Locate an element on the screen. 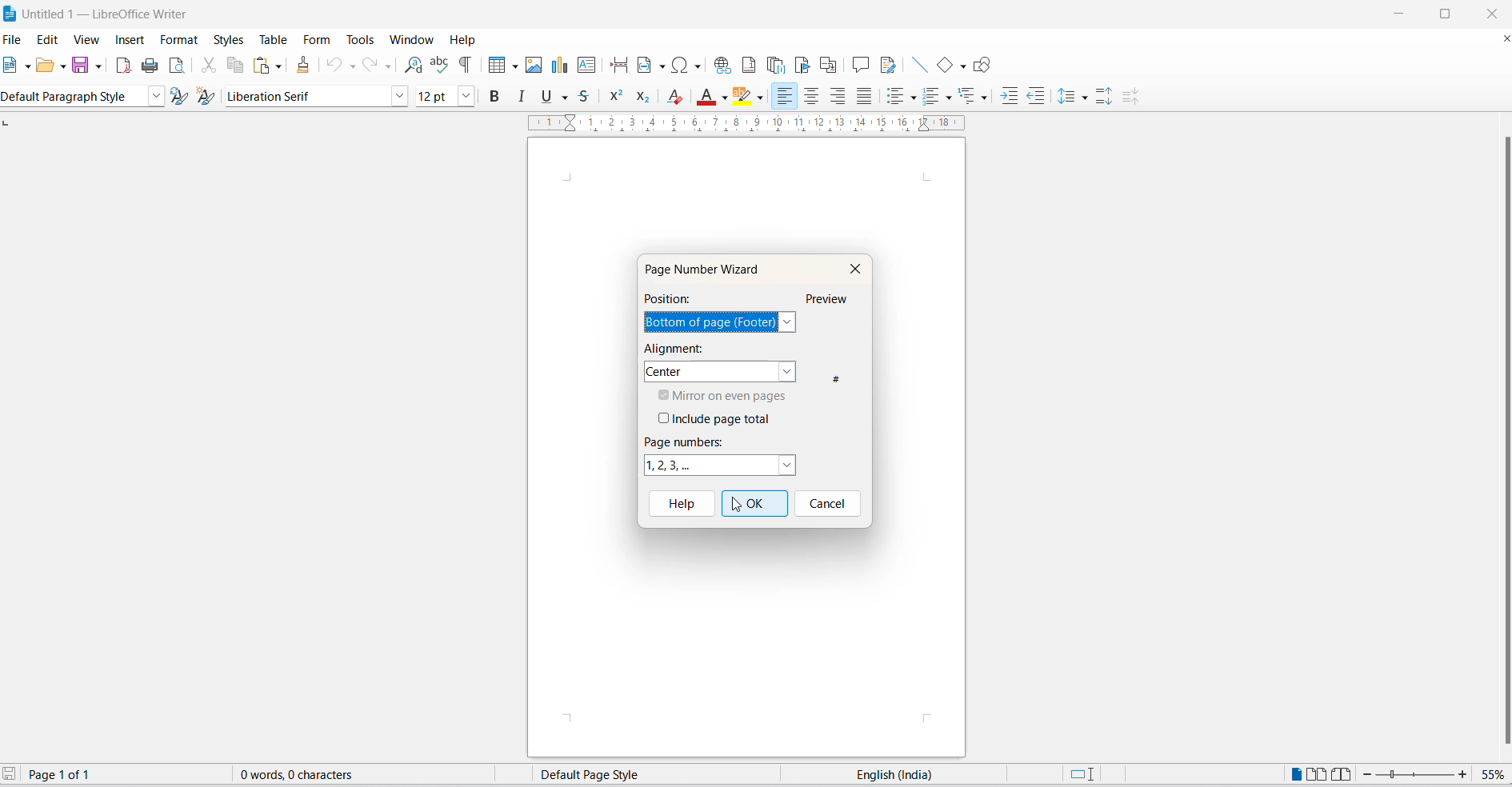 This screenshot has height=787, width=1512. insert line is located at coordinates (919, 63).